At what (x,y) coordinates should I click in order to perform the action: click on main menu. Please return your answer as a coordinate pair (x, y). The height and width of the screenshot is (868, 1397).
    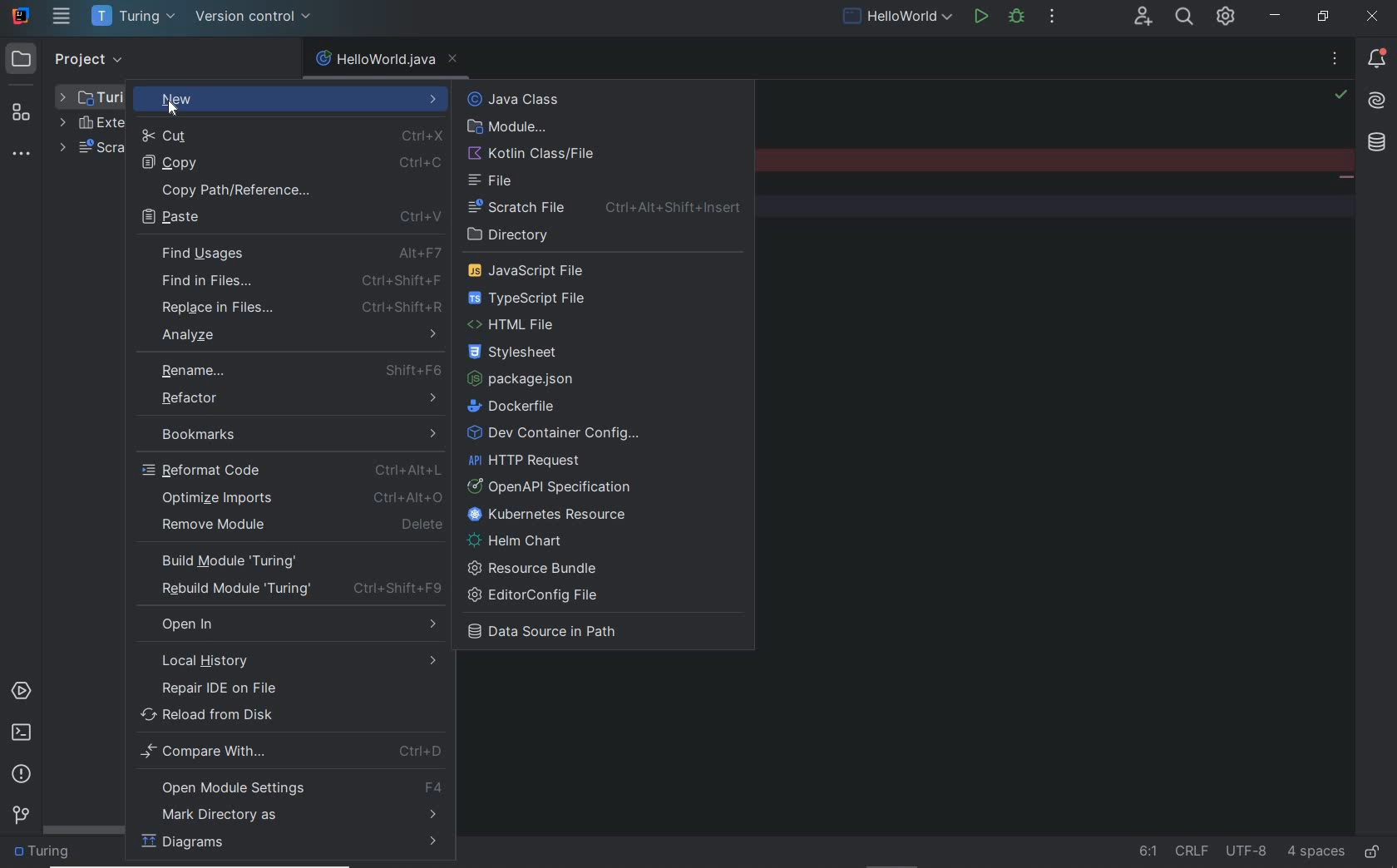
    Looking at the image, I should click on (62, 17).